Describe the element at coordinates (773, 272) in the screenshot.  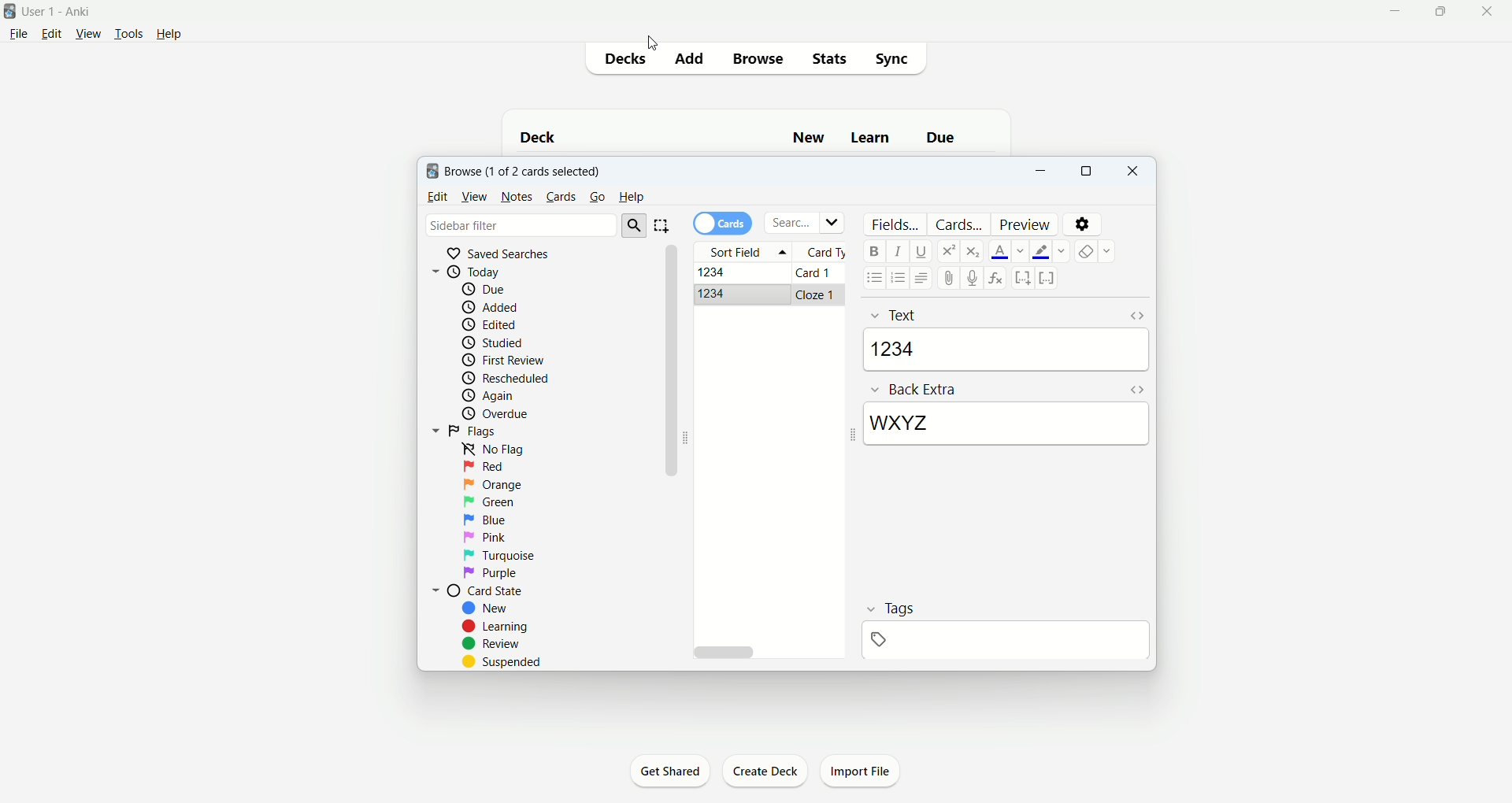
I see `Basic card` at that location.